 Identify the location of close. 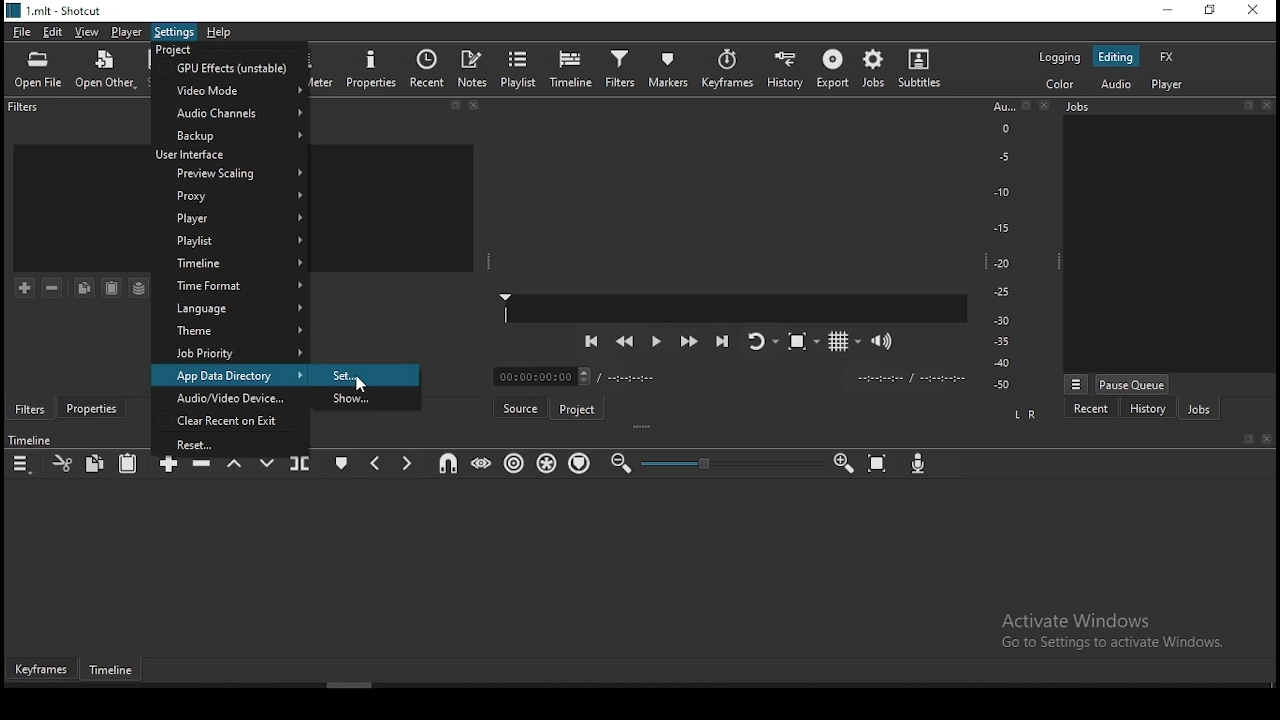
(1268, 440).